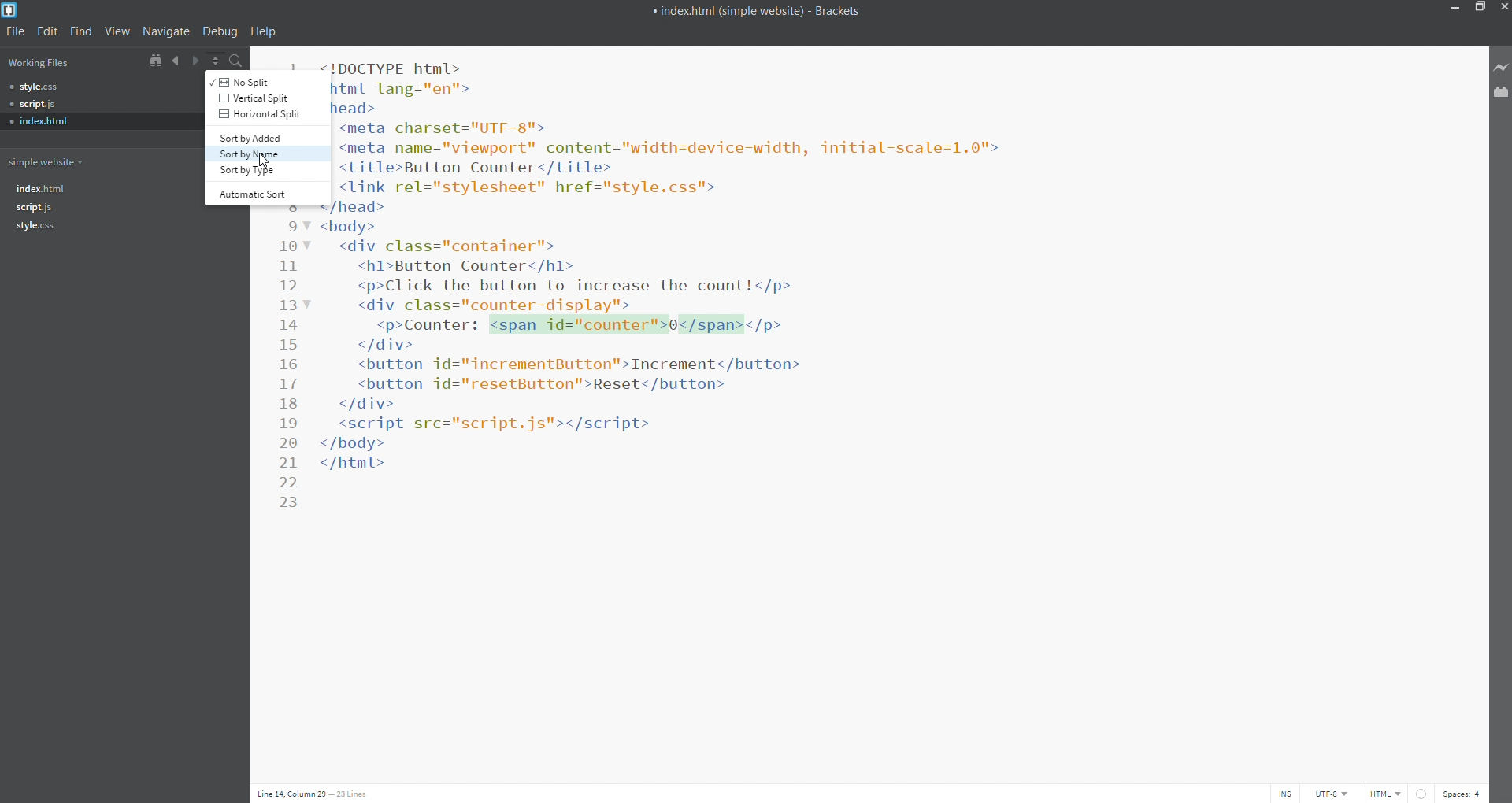 The width and height of the screenshot is (1512, 803). Describe the element at coordinates (169, 31) in the screenshot. I see `navigate` at that location.